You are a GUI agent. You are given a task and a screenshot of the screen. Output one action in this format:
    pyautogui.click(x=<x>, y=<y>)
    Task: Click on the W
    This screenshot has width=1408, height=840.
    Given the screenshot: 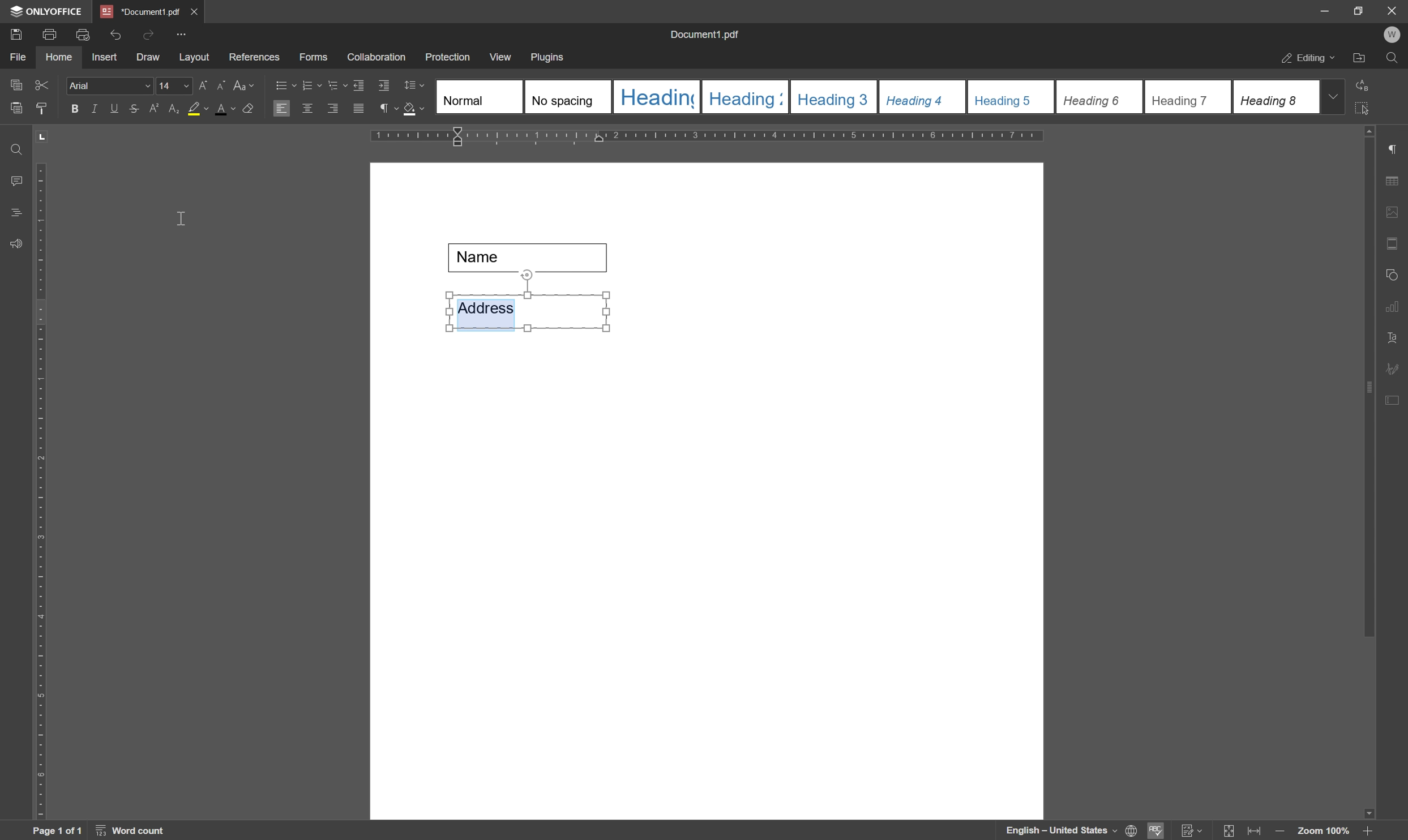 What is the action you would take?
    pyautogui.click(x=1394, y=35)
    